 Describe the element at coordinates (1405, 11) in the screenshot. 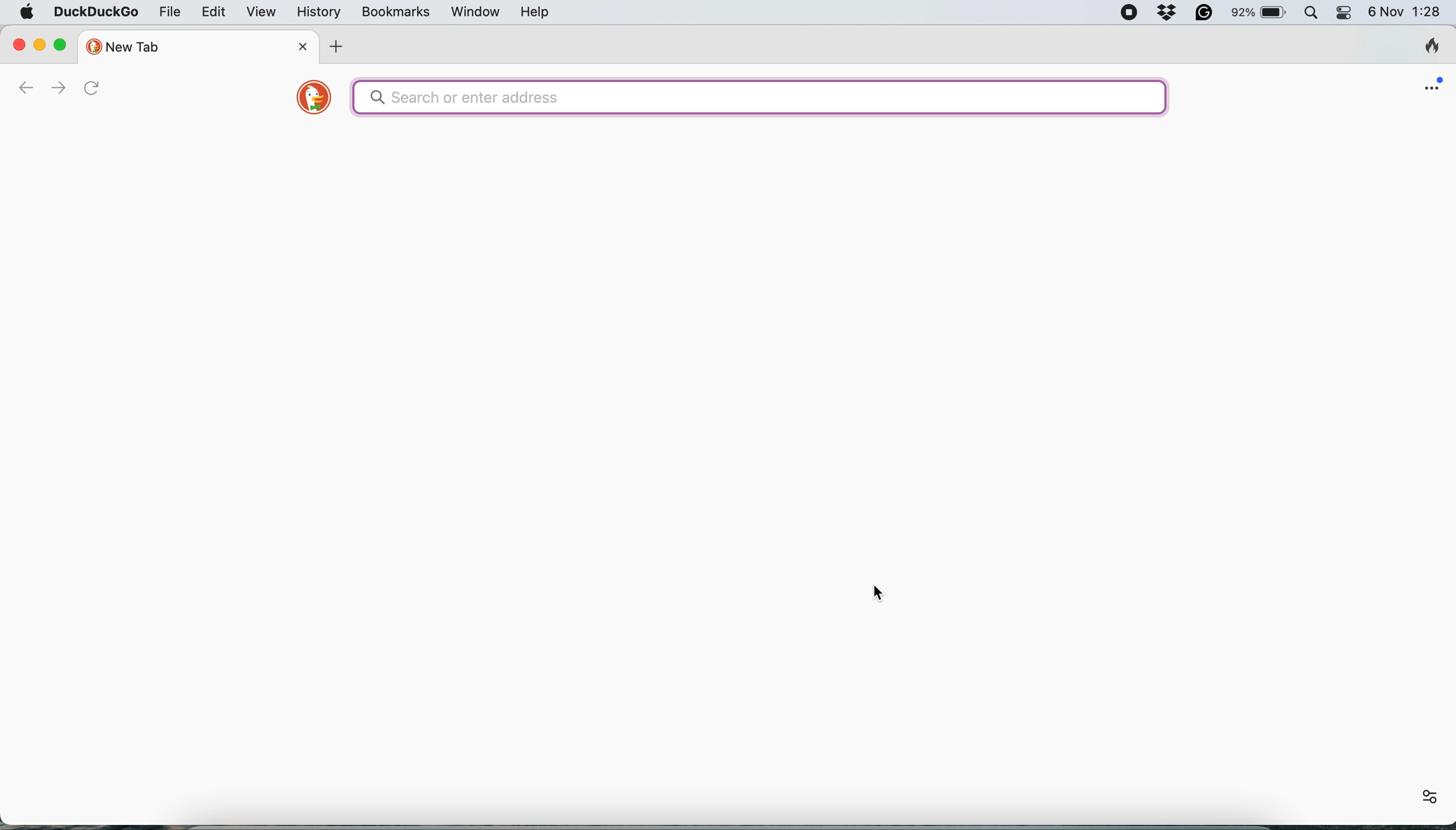

I see `6 Nov 1:28` at that location.